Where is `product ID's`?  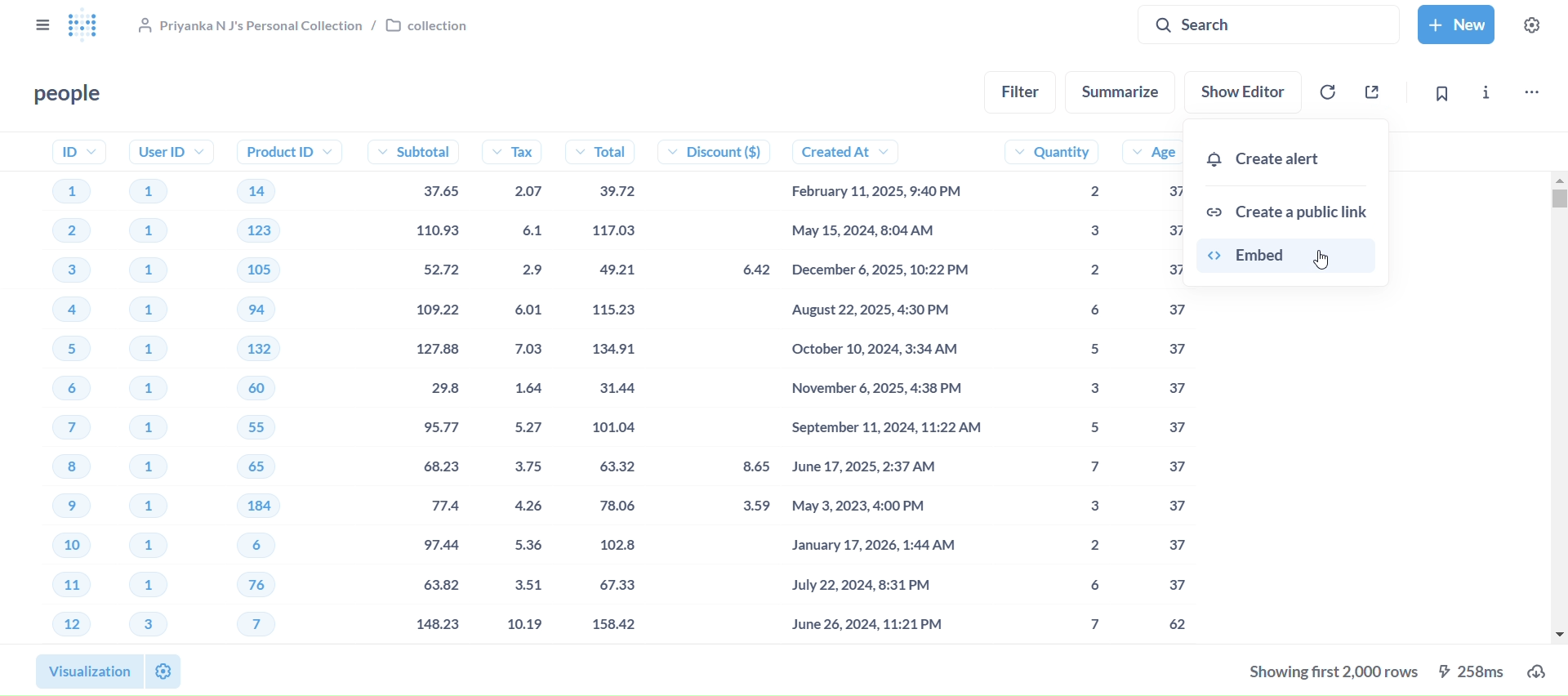 product ID's is located at coordinates (279, 387).